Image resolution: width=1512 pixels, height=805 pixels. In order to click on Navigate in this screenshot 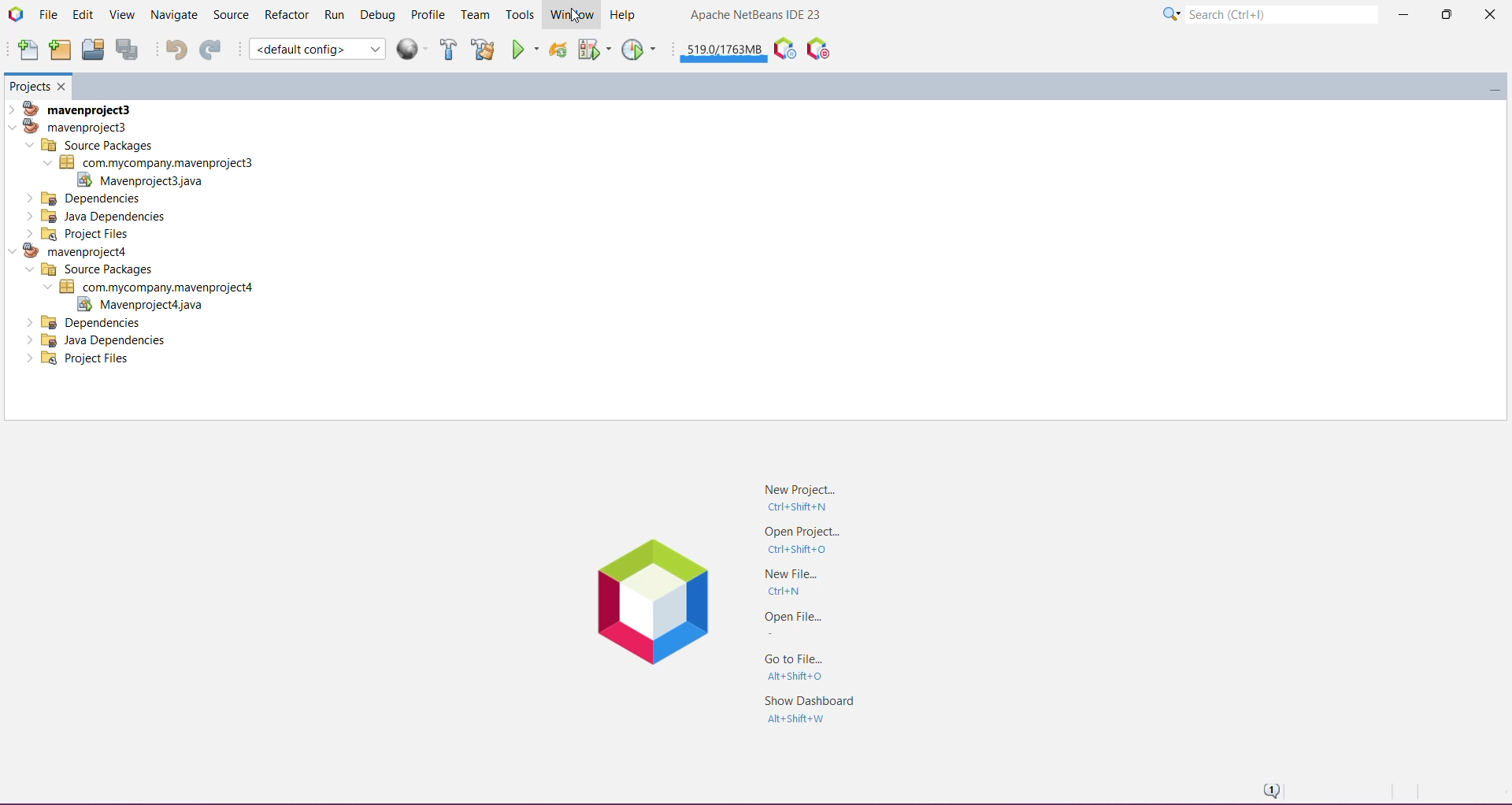, I will do `click(172, 15)`.